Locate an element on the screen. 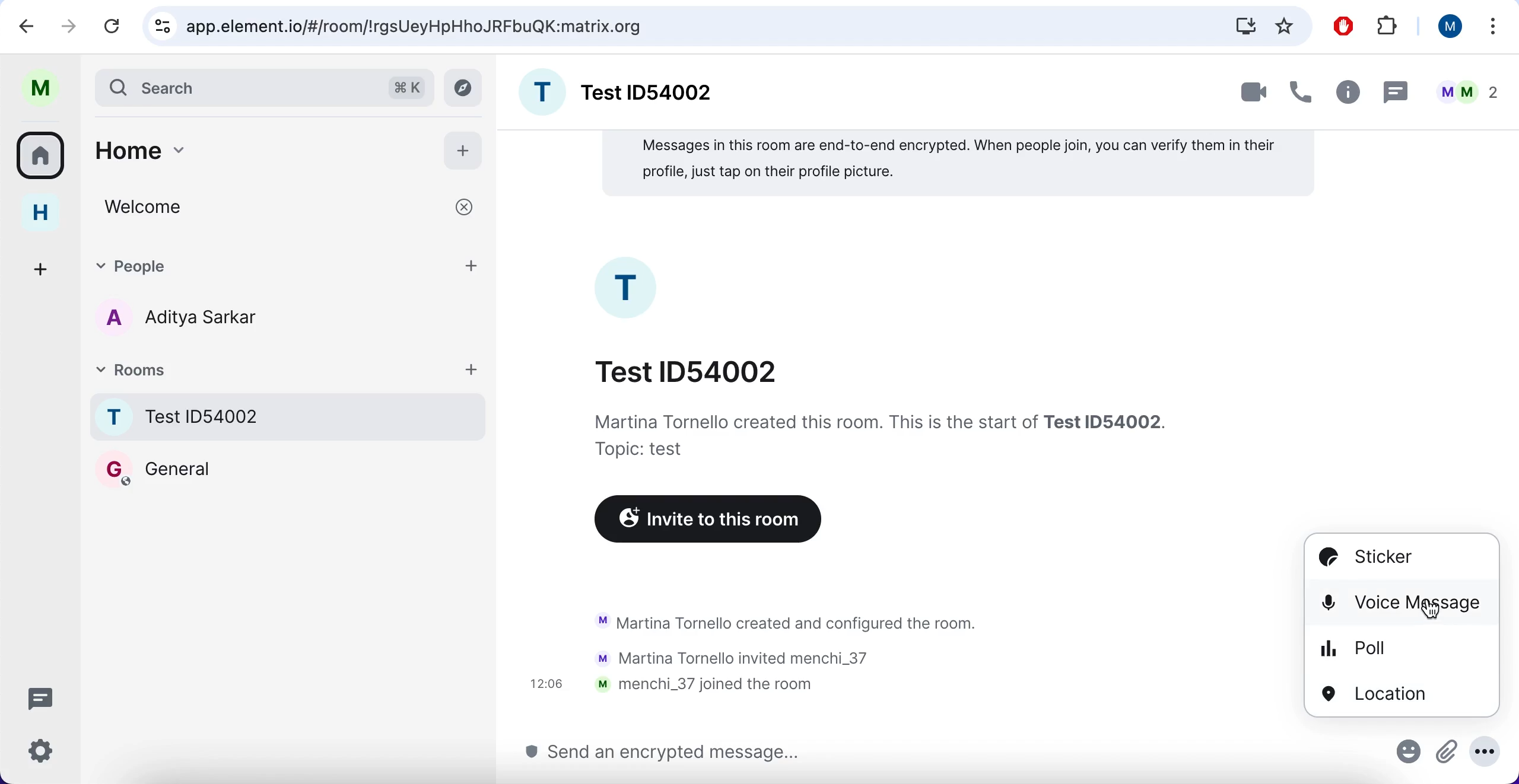  general is located at coordinates (155, 469).